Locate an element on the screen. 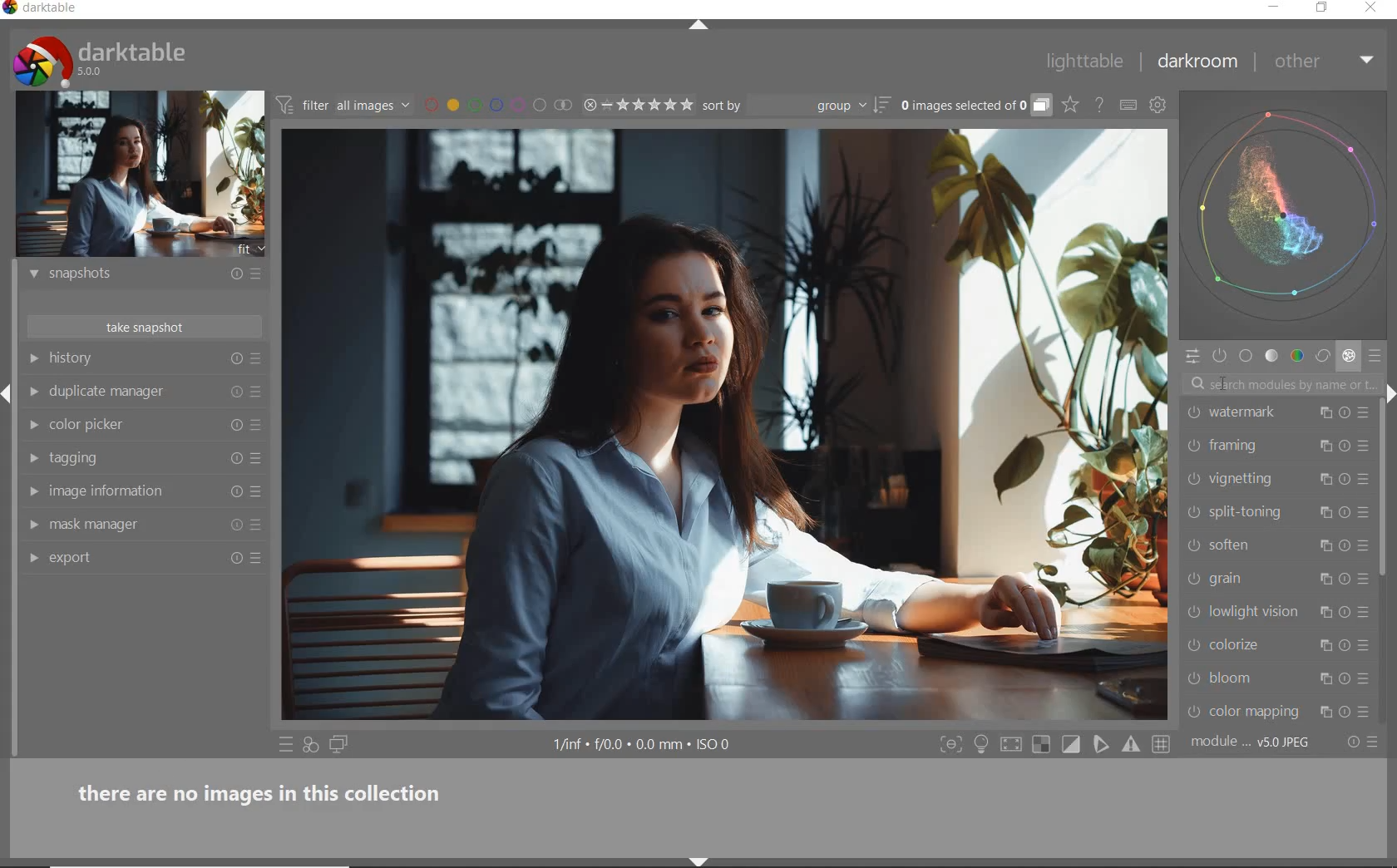  show module is located at coordinates (37, 426).